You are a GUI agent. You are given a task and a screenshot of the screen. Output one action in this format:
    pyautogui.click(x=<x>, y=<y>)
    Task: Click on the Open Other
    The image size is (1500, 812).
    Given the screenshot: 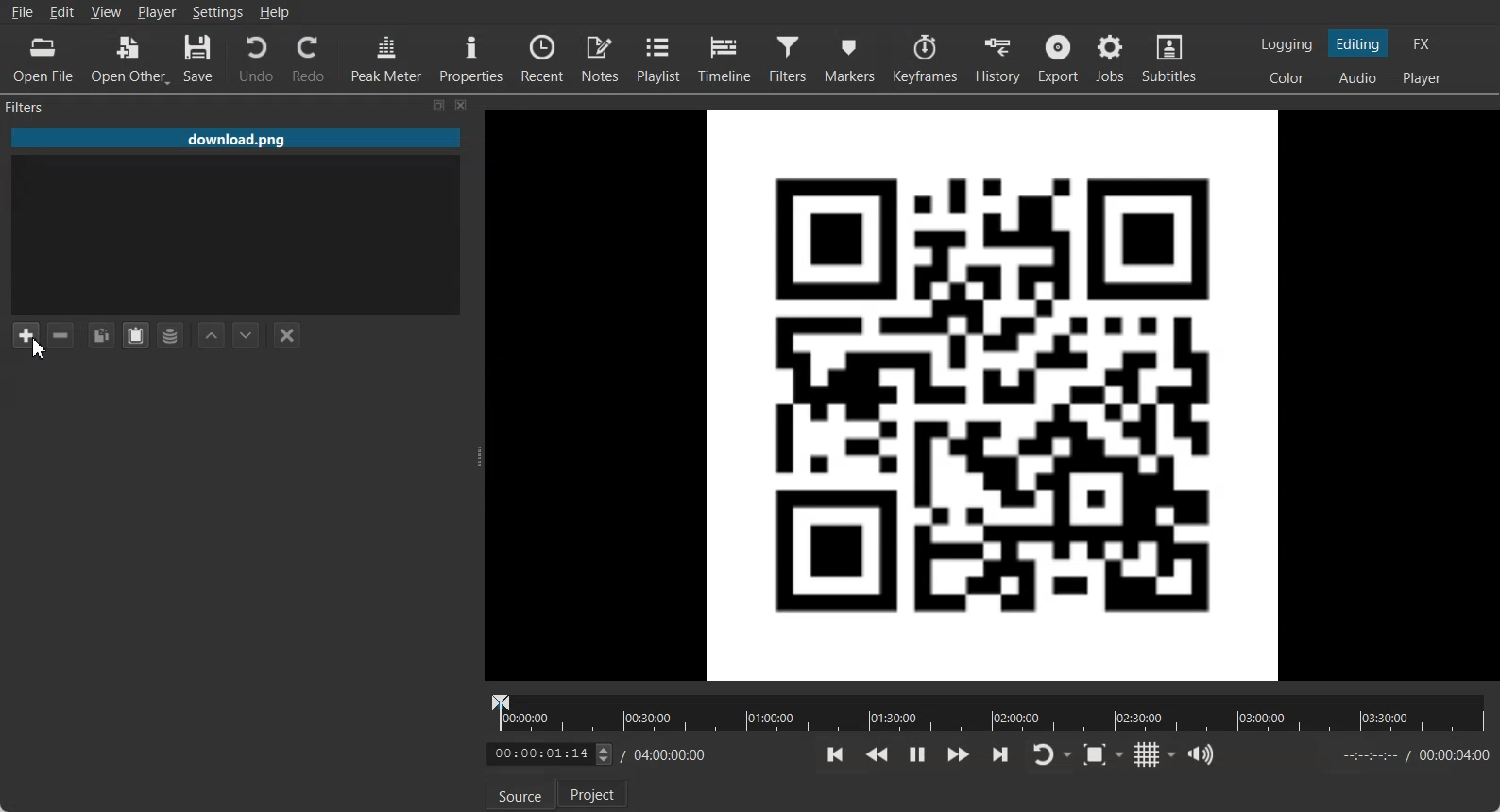 What is the action you would take?
    pyautogui.click(x=130, y=59)
    